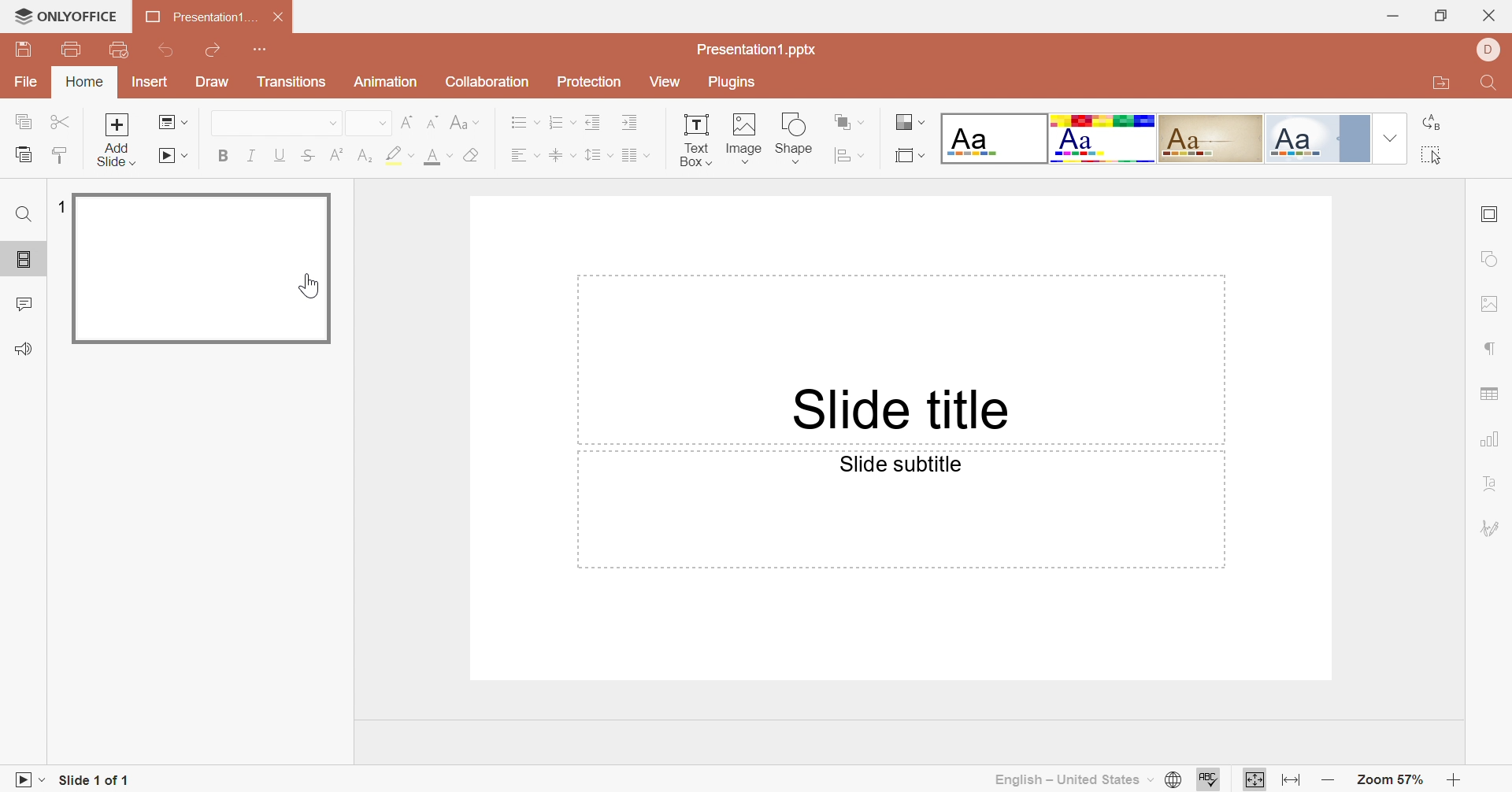 This screenshot has width=1512, height=792. What do you see at coordinates (213, 81) in the screenshot?
I see `Draw` at bounding box center [213, 81].